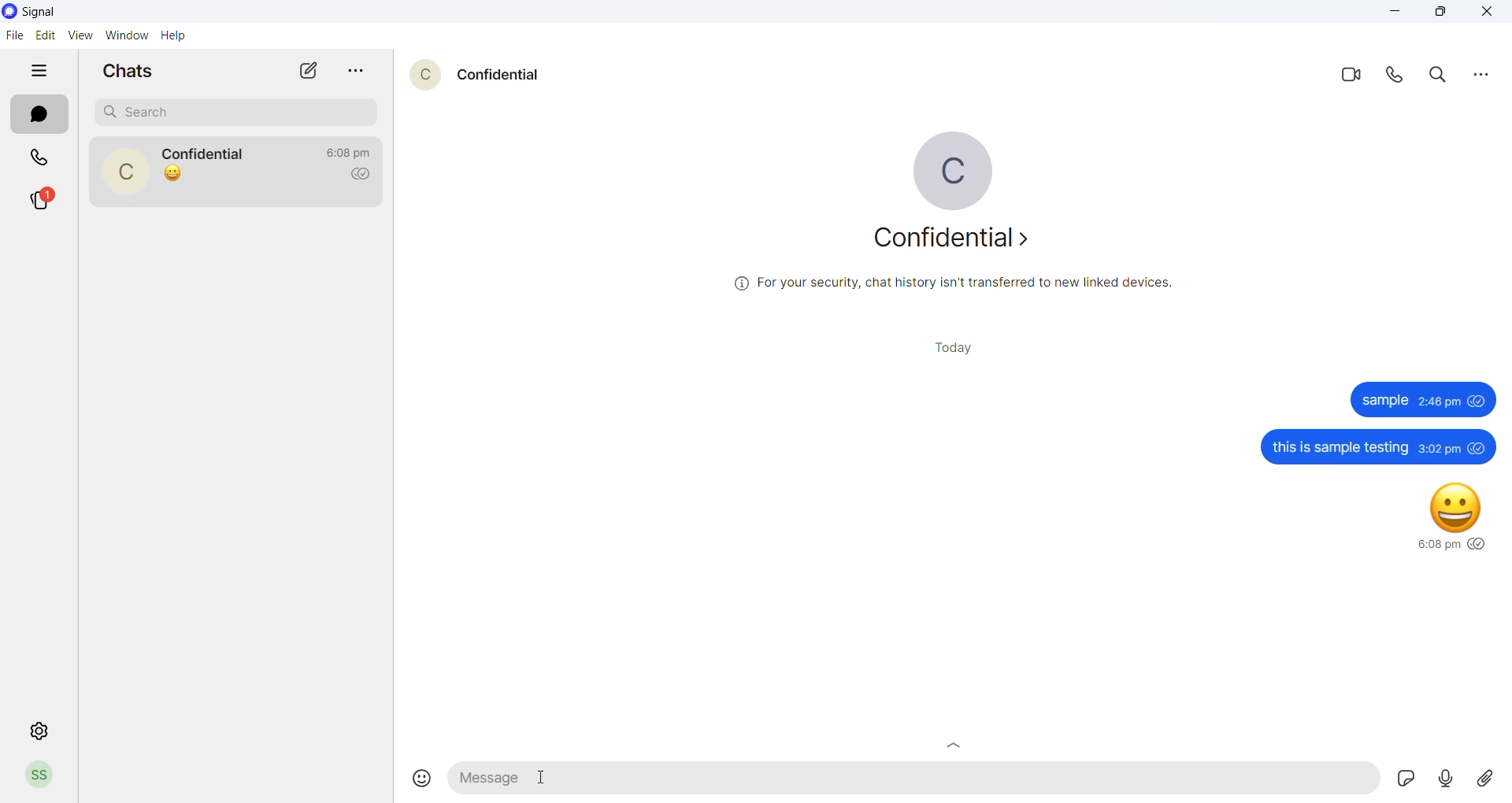 The width and height of the screenshot is (1512, 803). I want to click on contact name, so click(506, 75).